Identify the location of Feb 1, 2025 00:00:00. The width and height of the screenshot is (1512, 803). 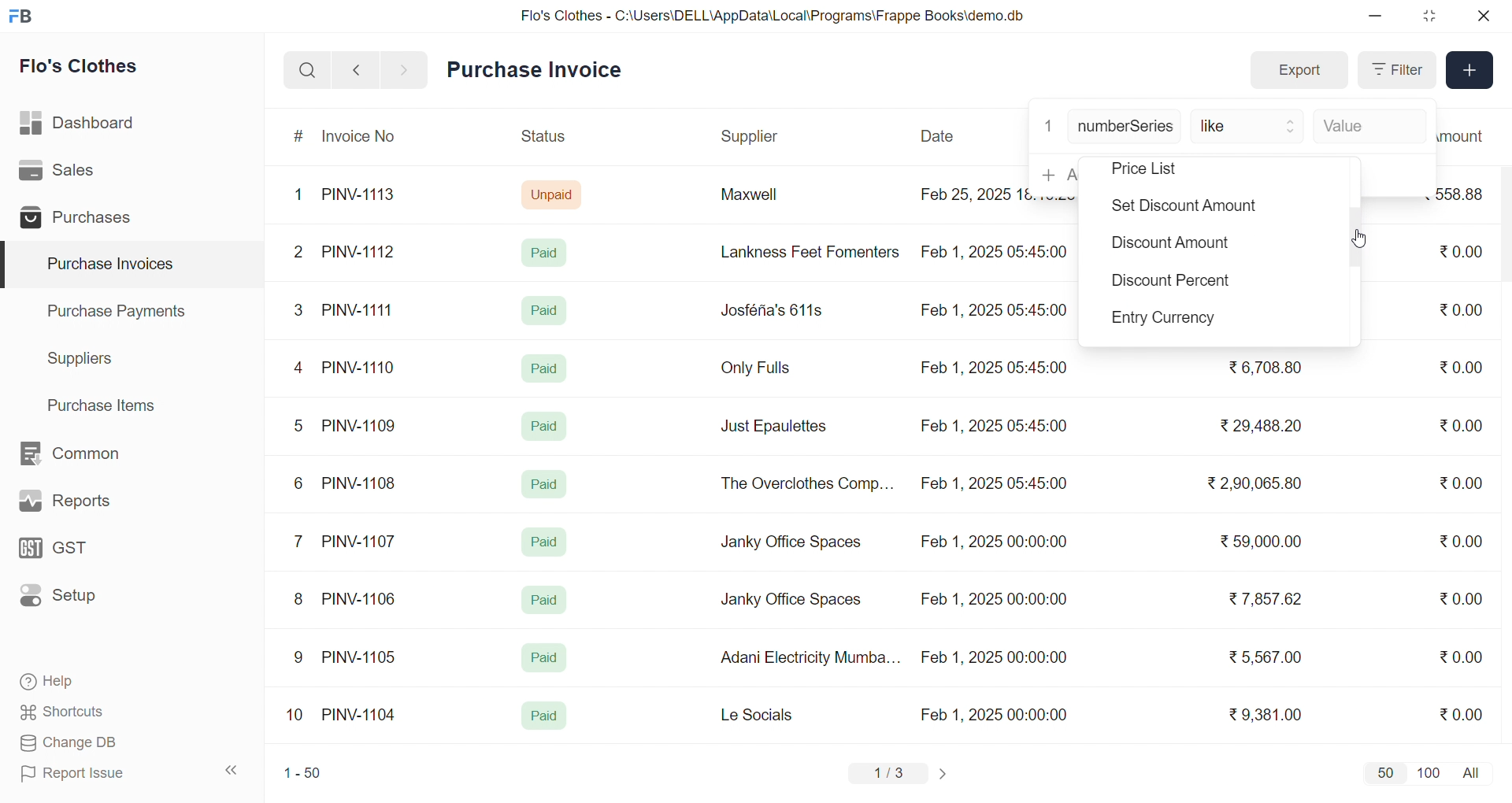
(996, 714).